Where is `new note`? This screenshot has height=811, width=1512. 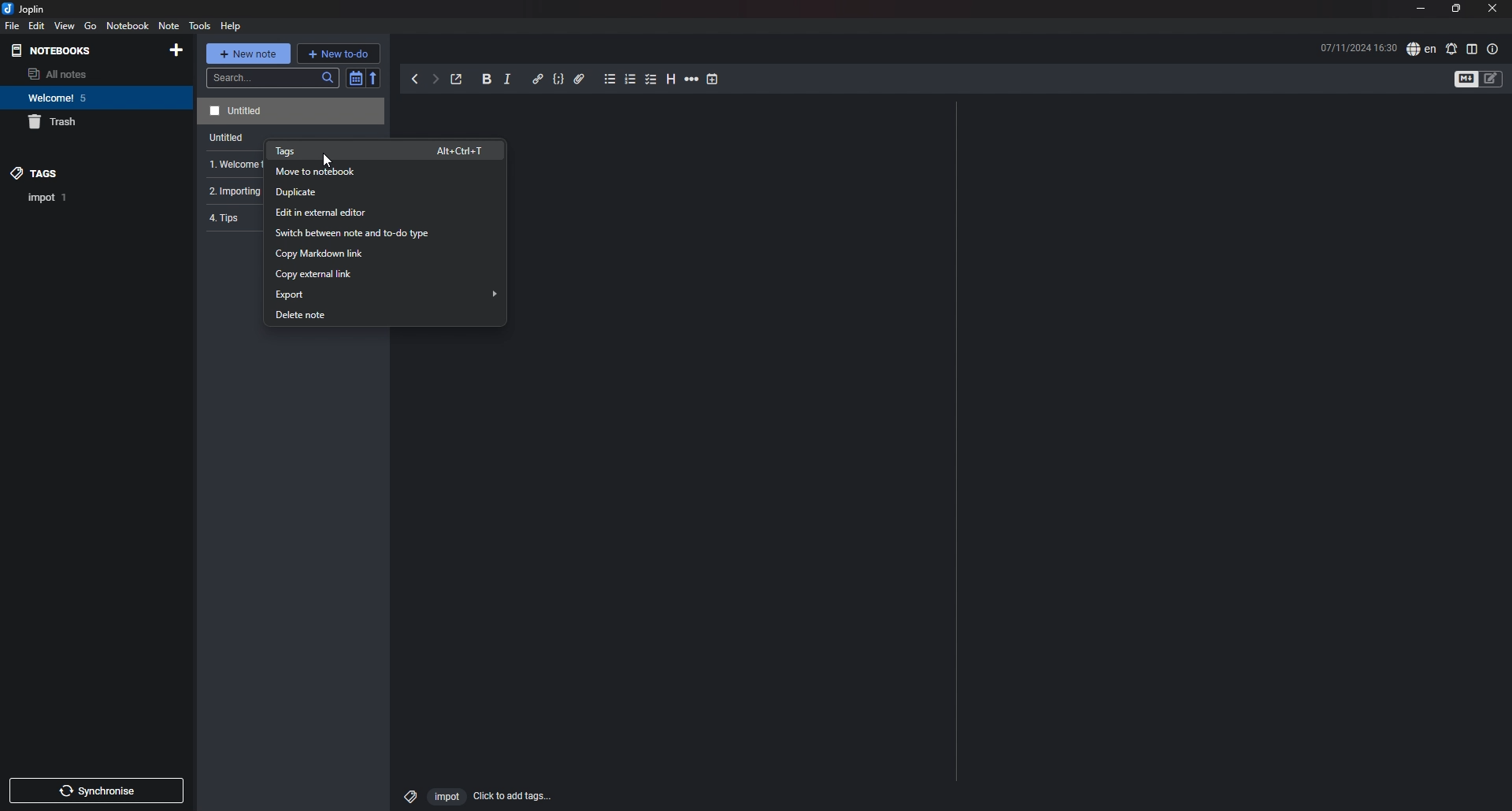 new note is located at coordinates (249, 53).